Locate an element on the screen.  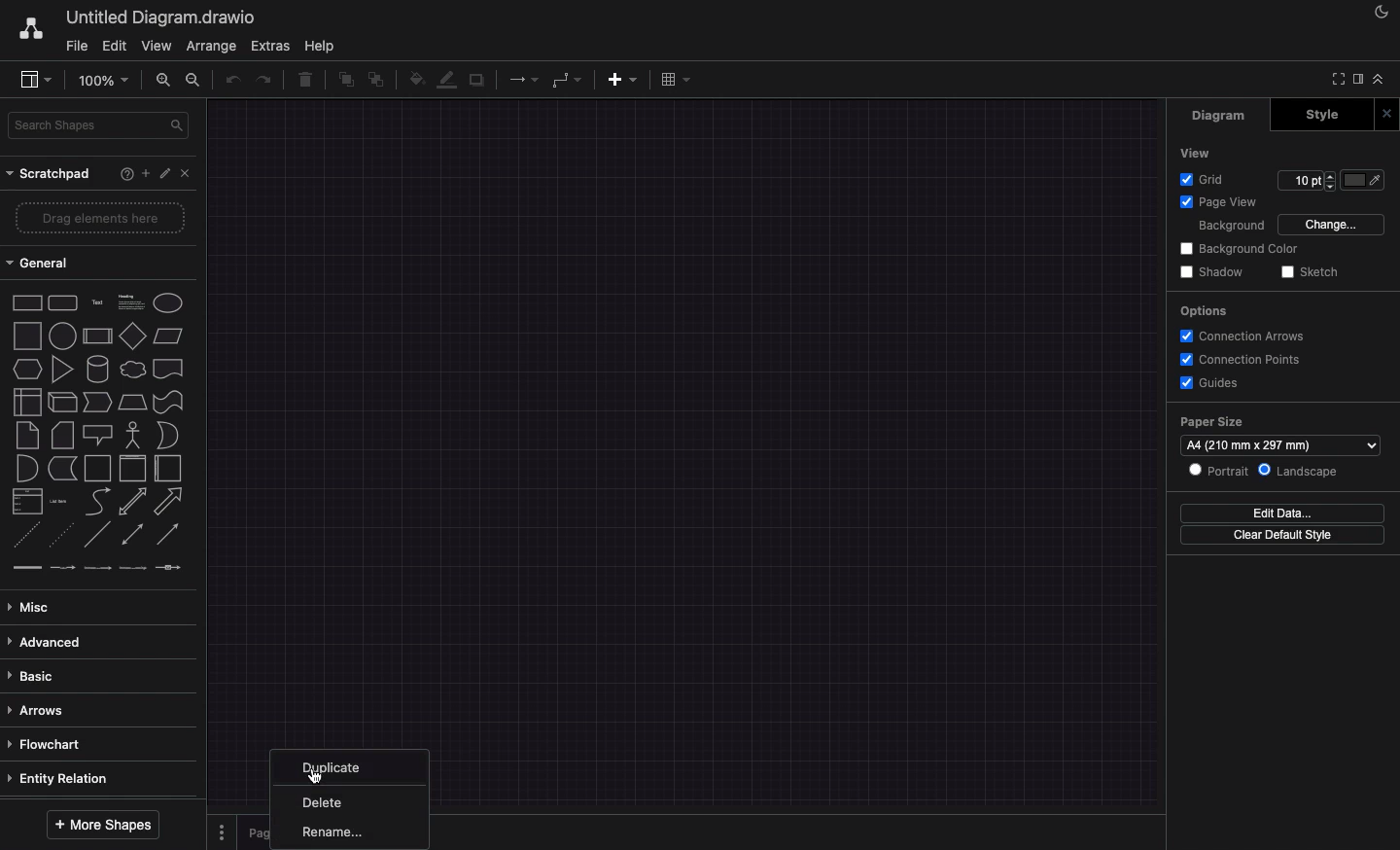
size is located at coordinates (1279, 445).